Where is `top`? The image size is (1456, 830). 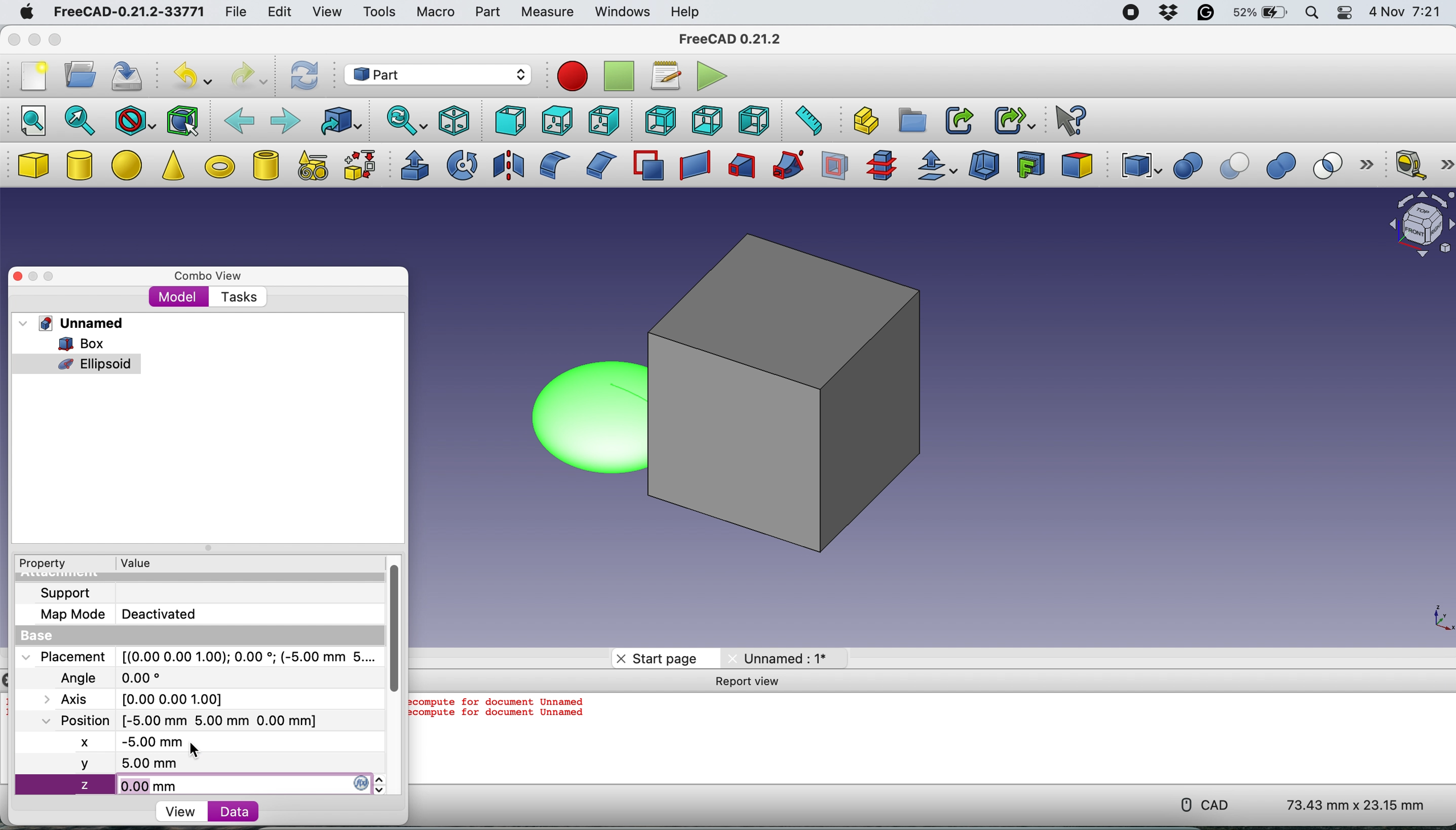 top is located at coordinates (555, 120).